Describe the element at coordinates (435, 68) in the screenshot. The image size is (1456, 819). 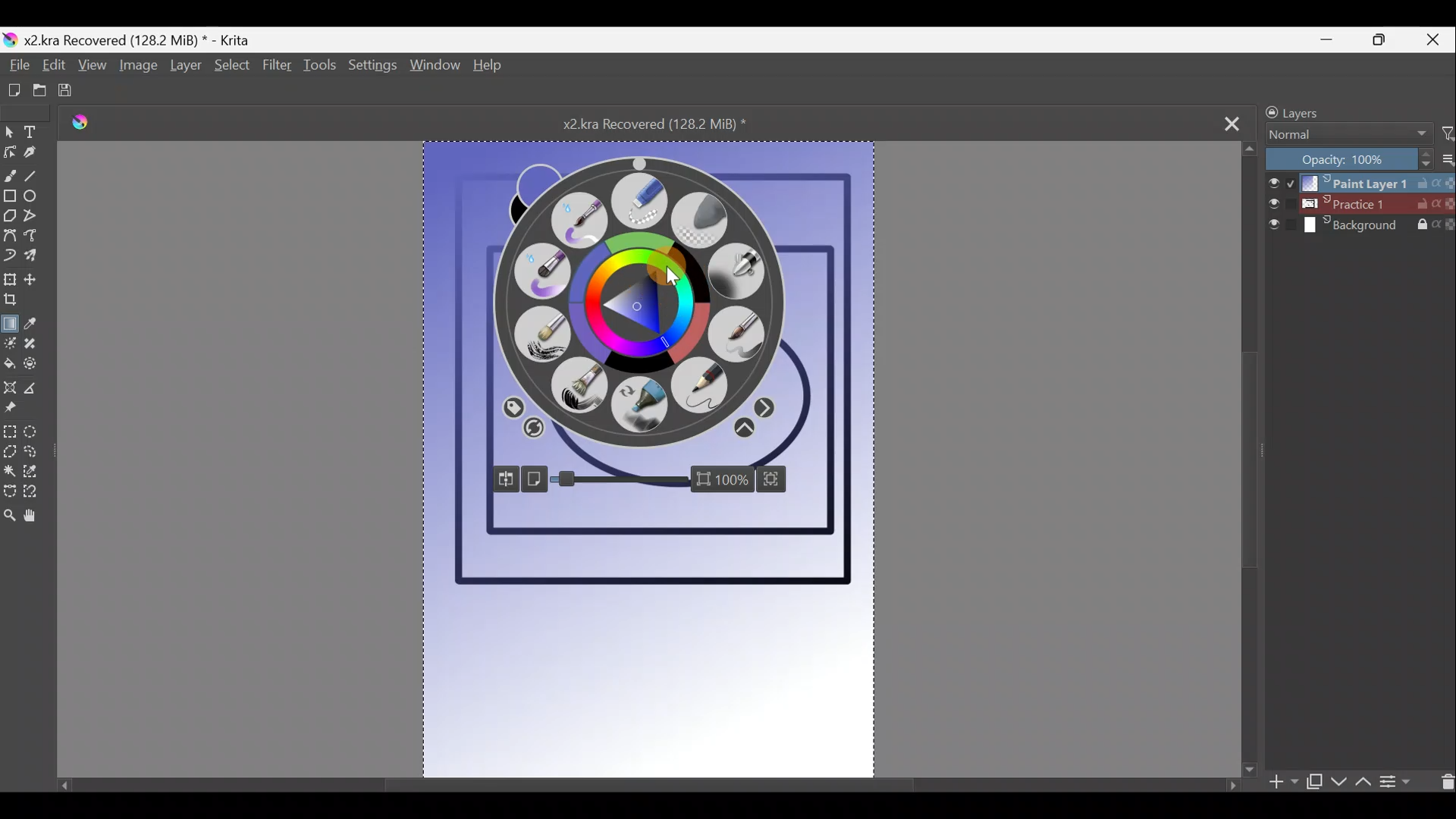
I see `Window` at that location.